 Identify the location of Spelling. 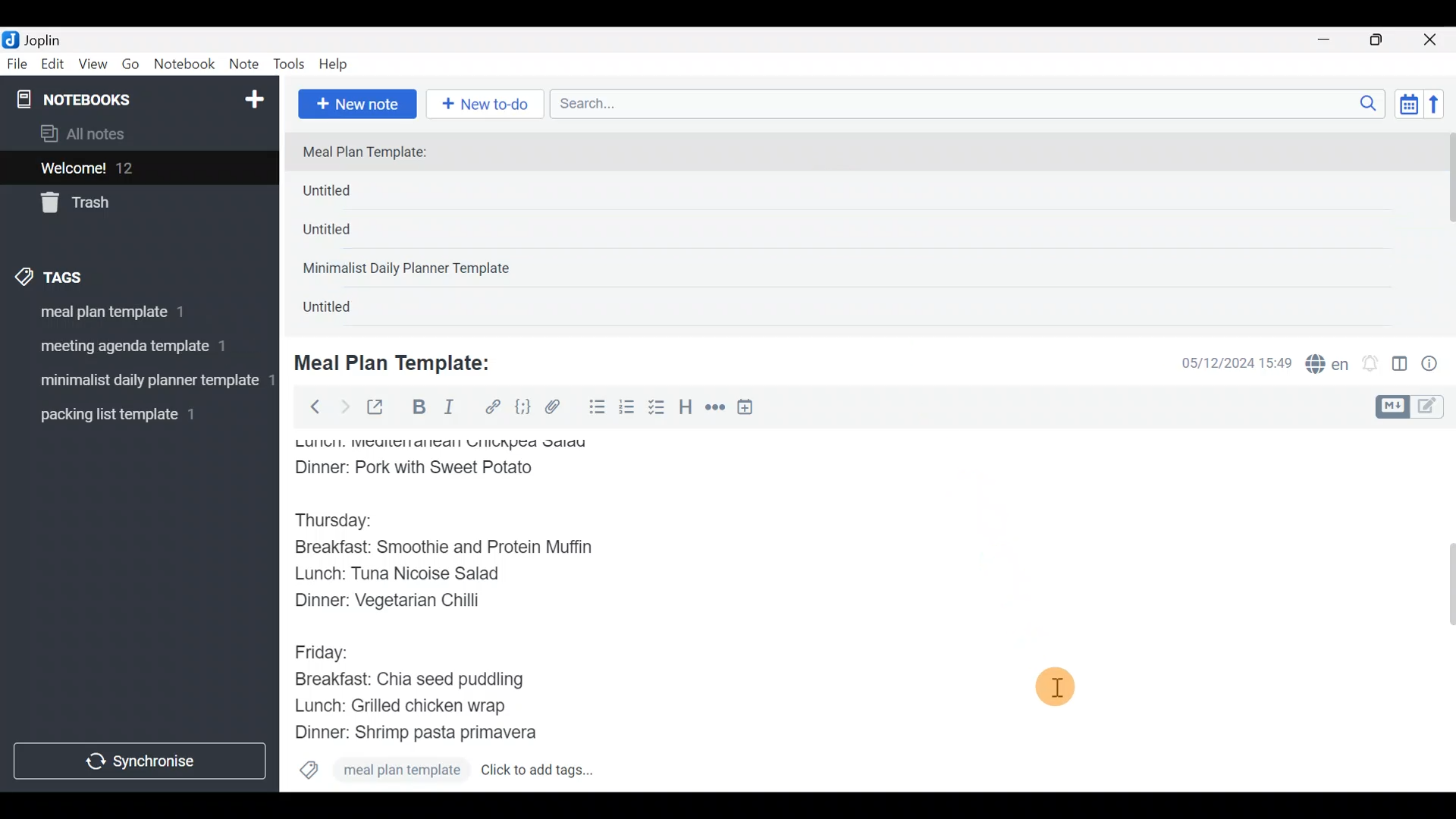
(1328, 366).